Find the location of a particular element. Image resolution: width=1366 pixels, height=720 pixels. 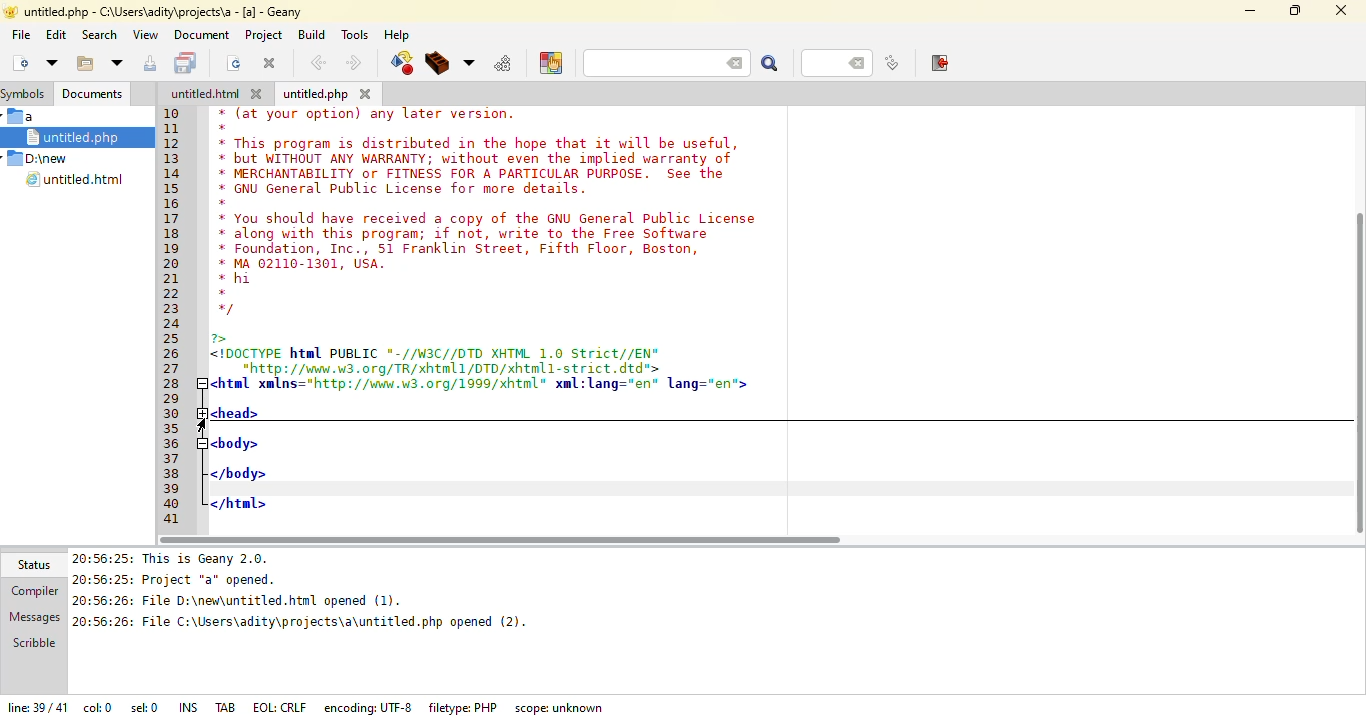

search is located at coordinates (770, 63).